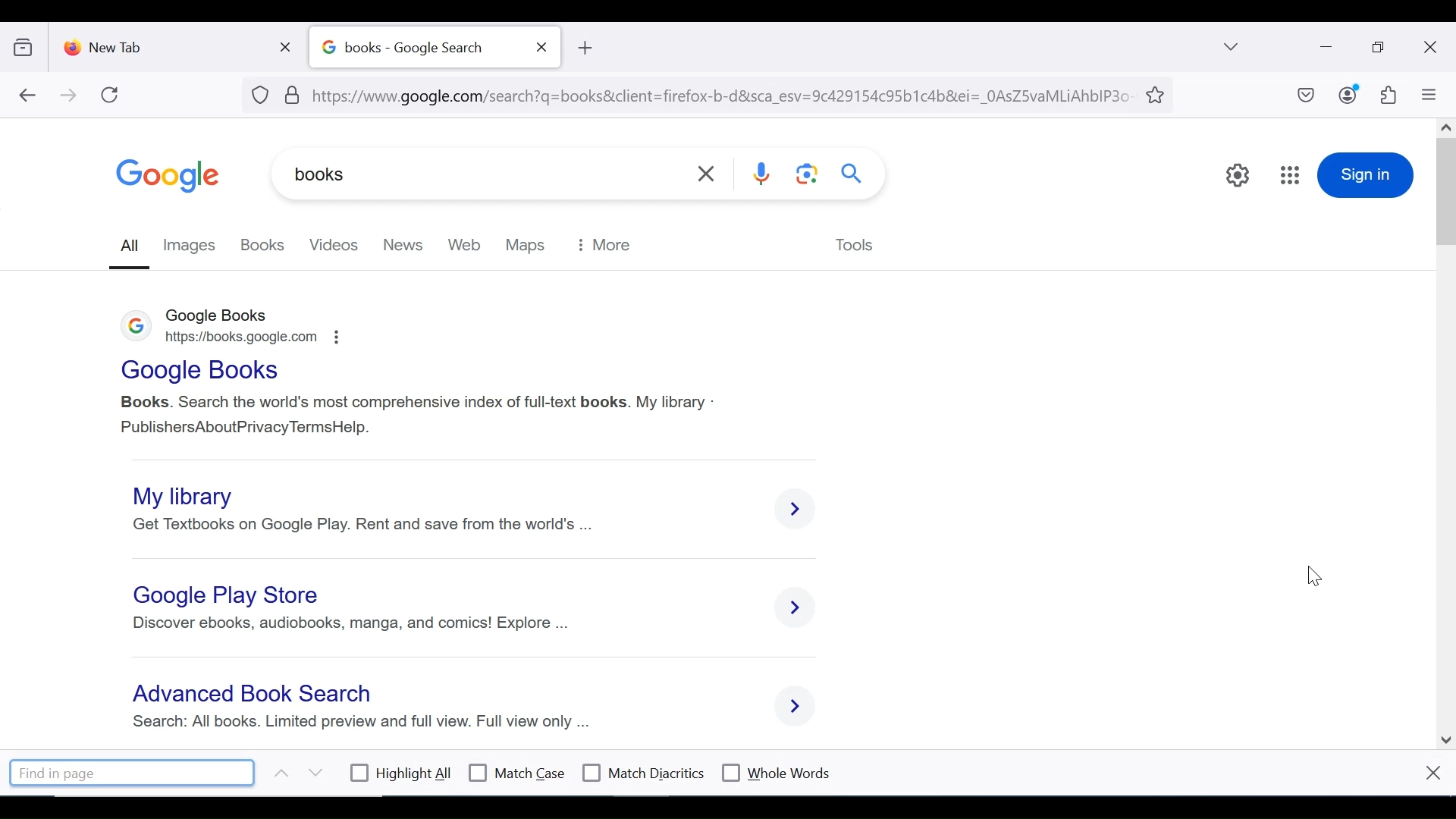  Describe the element at coordinates (1349, 94) in the screenshot. I see `account` at that location.